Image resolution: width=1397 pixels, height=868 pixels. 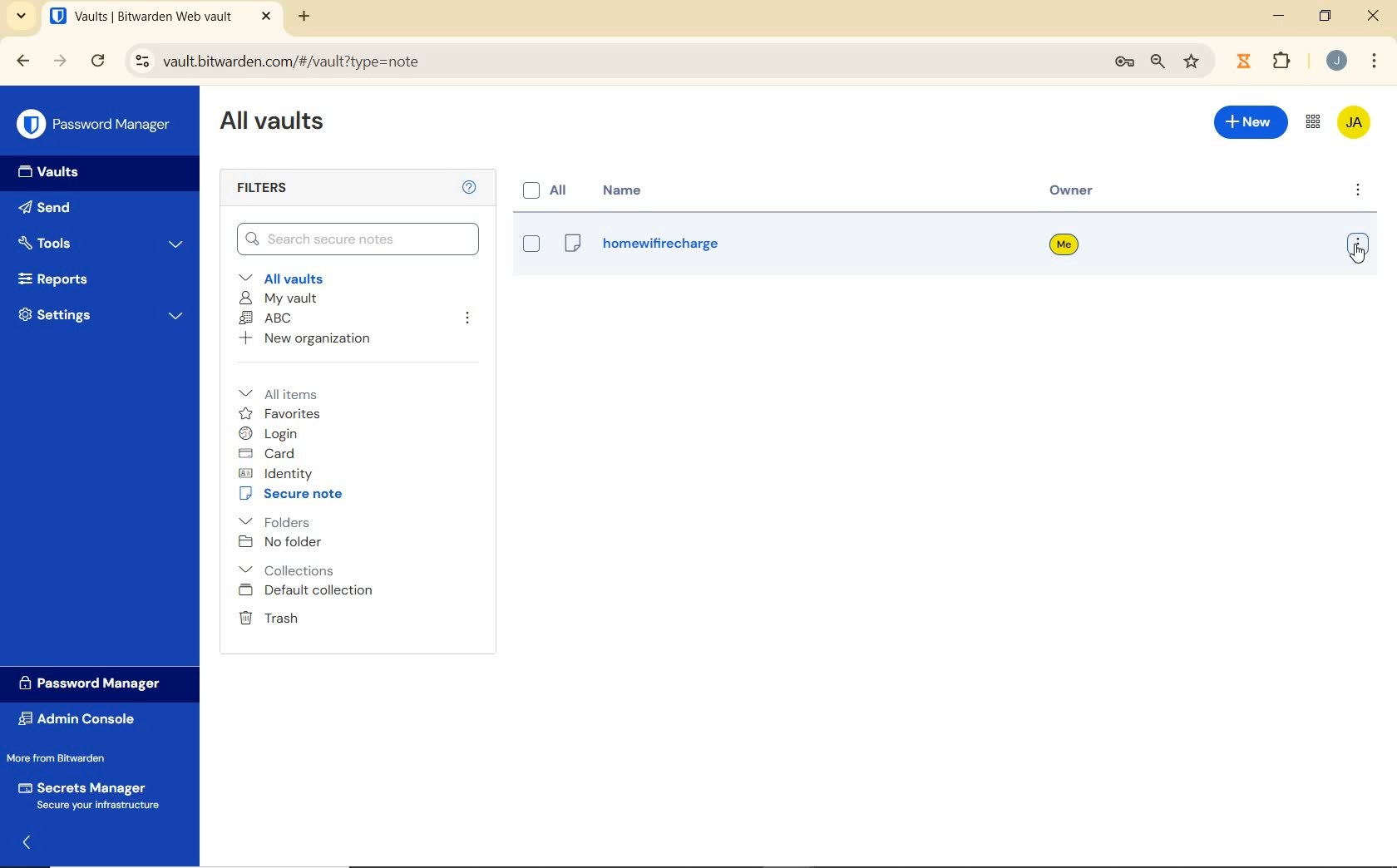 I want to click on Help, so click(x=471, y=188).